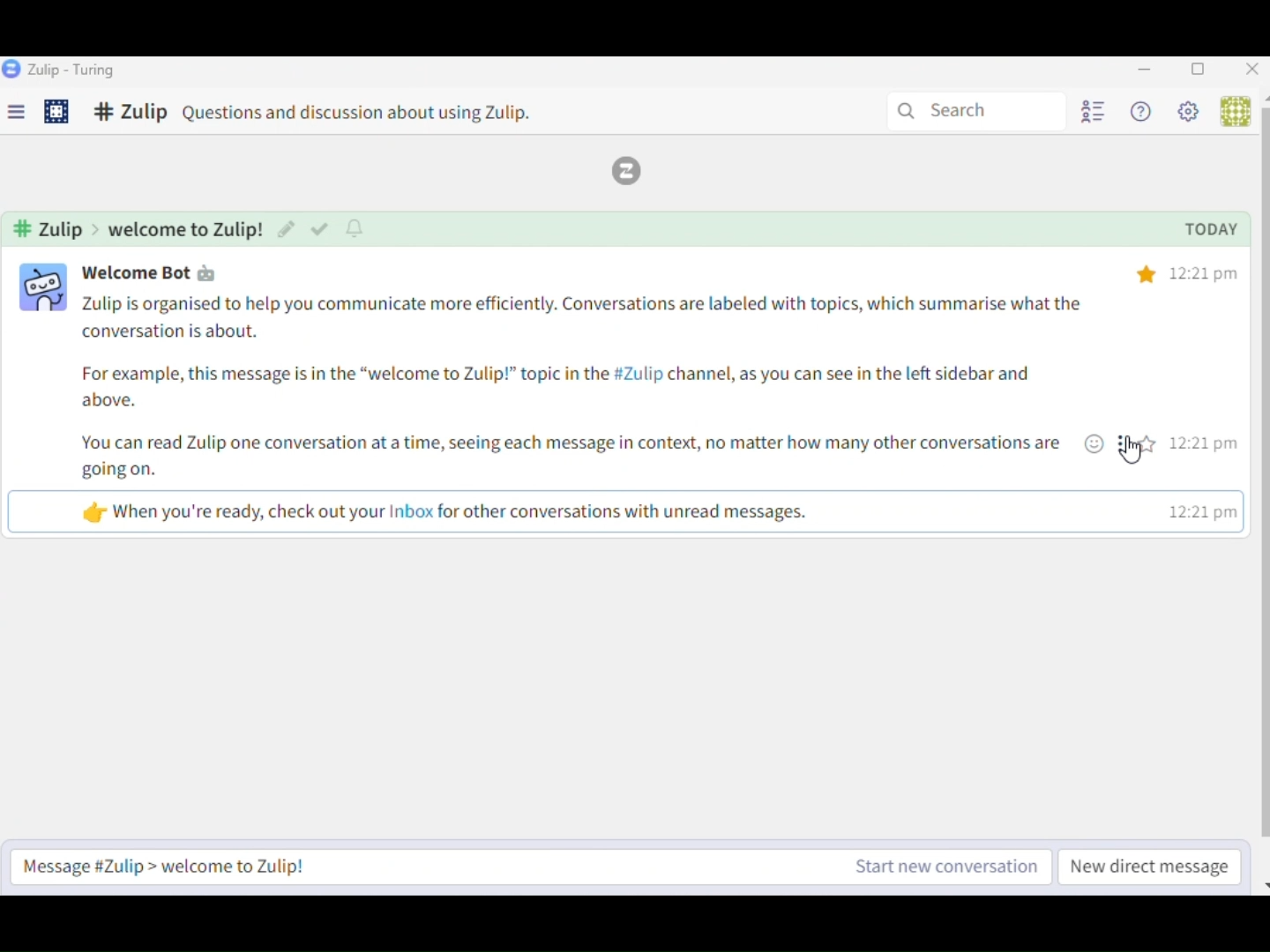  I want to click on today, so click(1211, 231).